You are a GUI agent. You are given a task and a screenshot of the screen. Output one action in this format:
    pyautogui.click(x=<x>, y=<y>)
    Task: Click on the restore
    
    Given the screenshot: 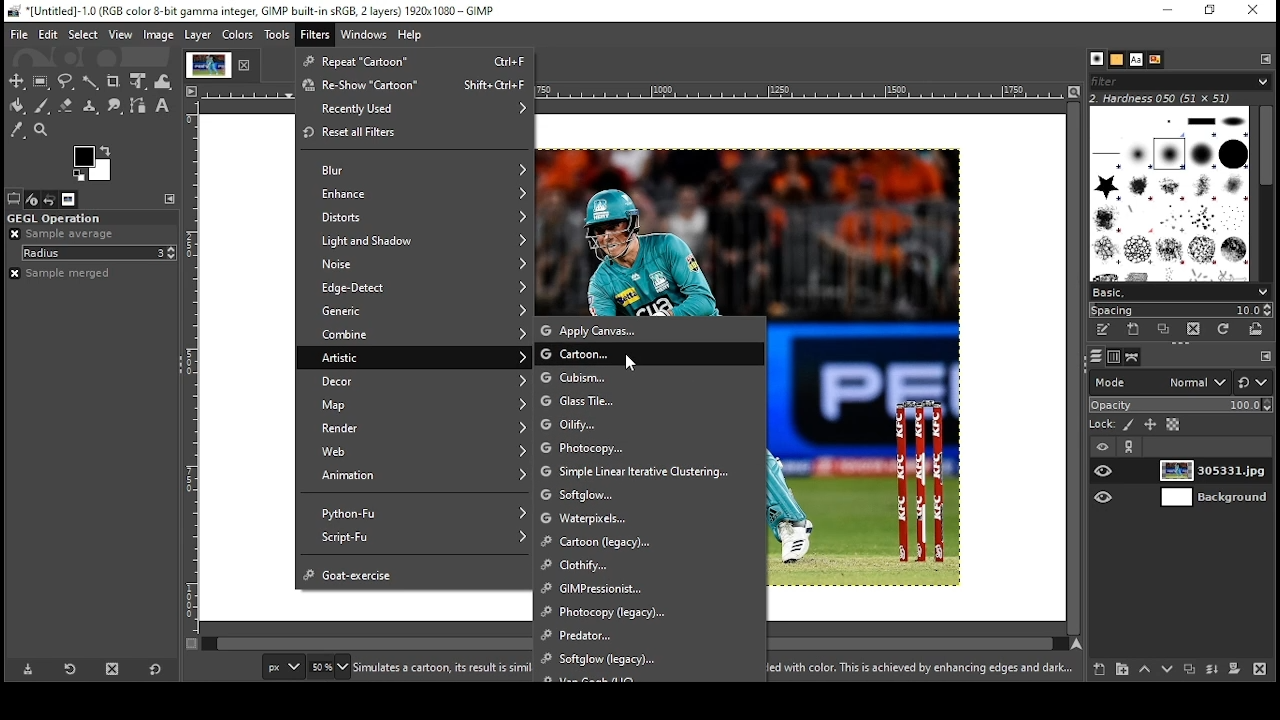 What is the action you would take?
    pyautogui.click(x=1208, y=11)
    